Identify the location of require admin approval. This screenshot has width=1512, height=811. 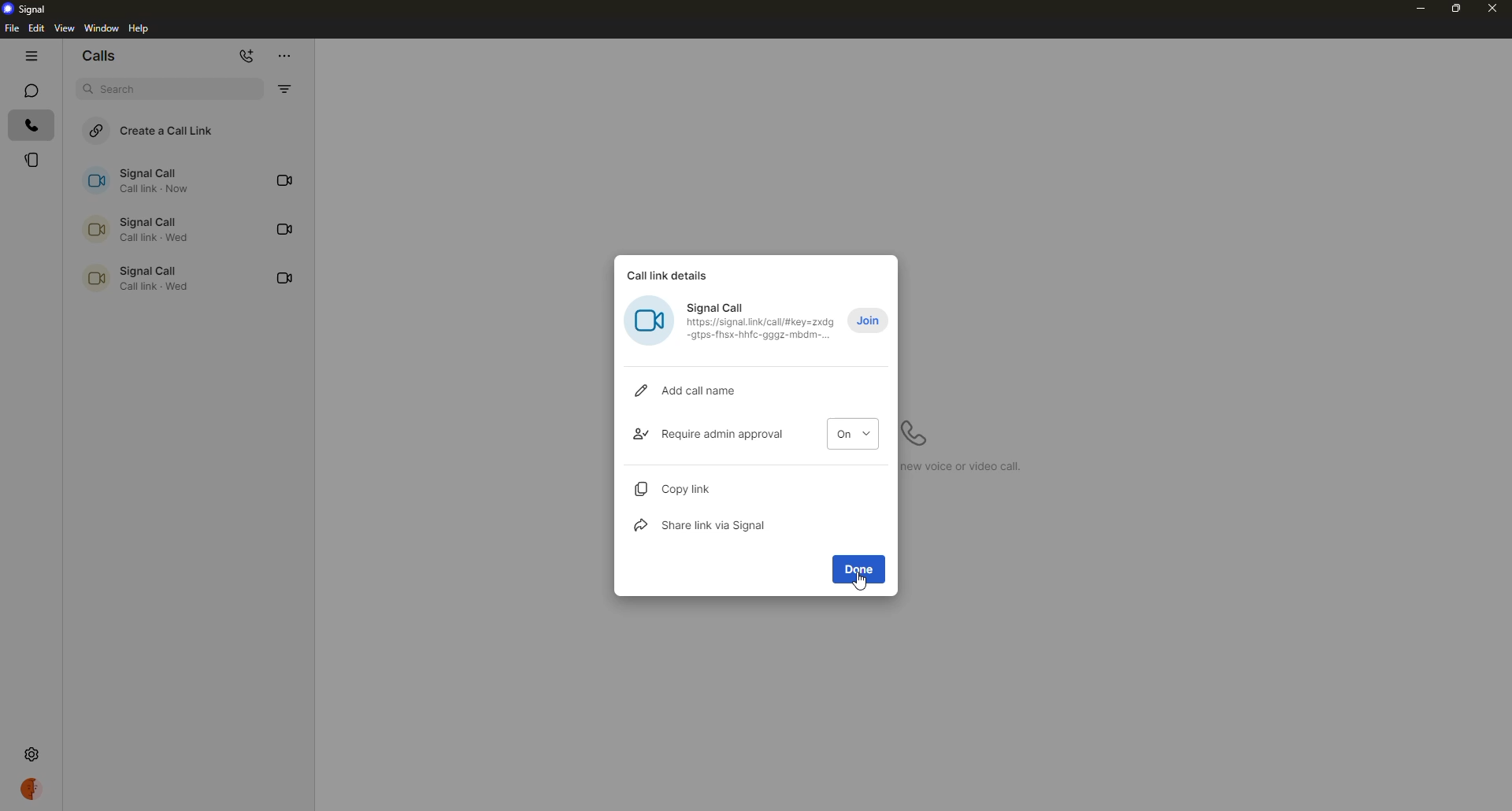
(709, 434).